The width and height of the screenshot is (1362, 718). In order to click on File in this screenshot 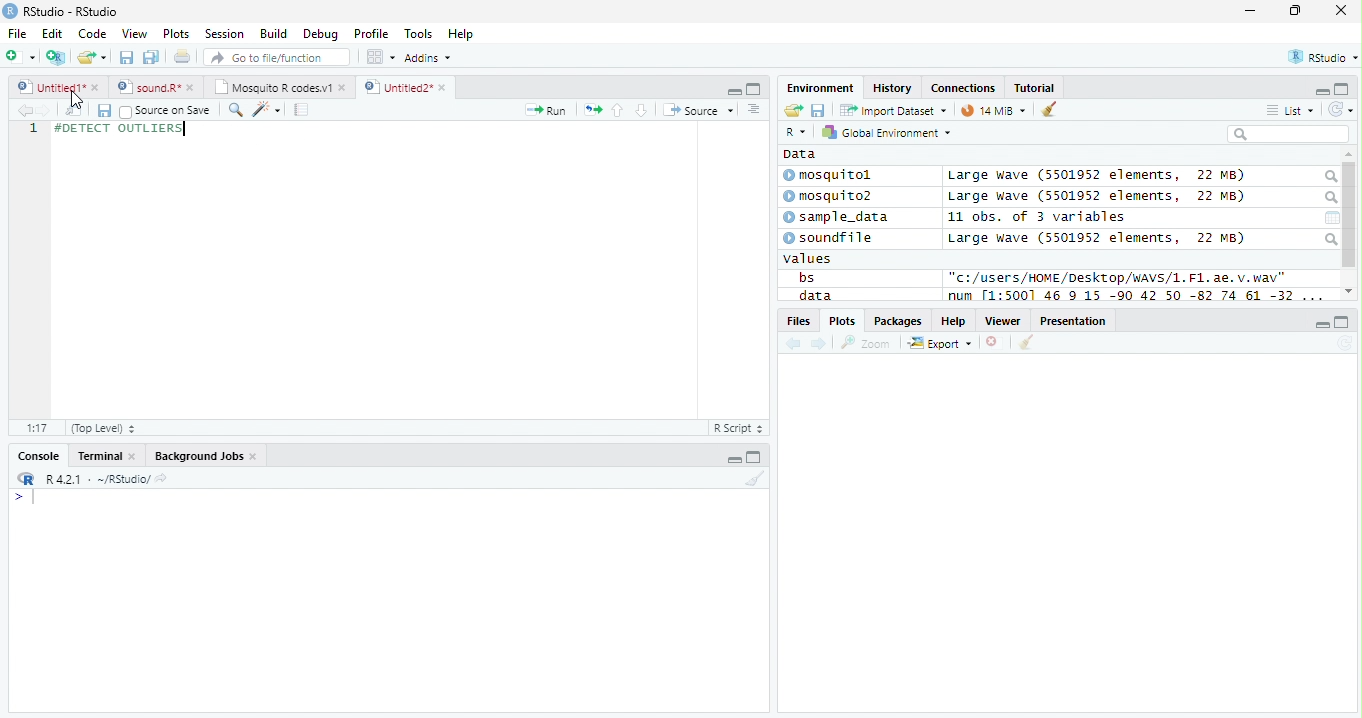, I will do `click(18, 34)`.